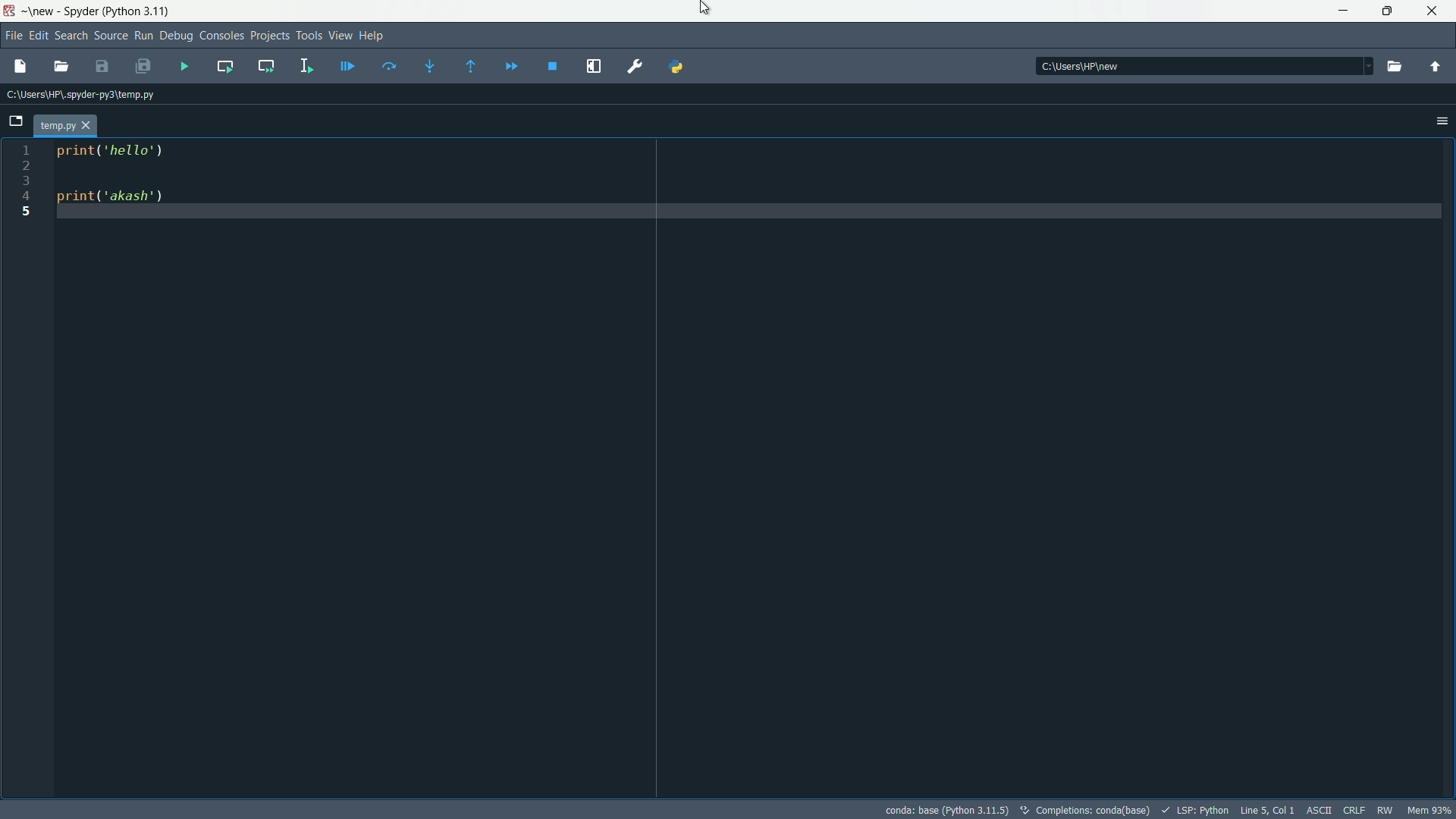  I want to click on python 3.11, so click(137, 11).